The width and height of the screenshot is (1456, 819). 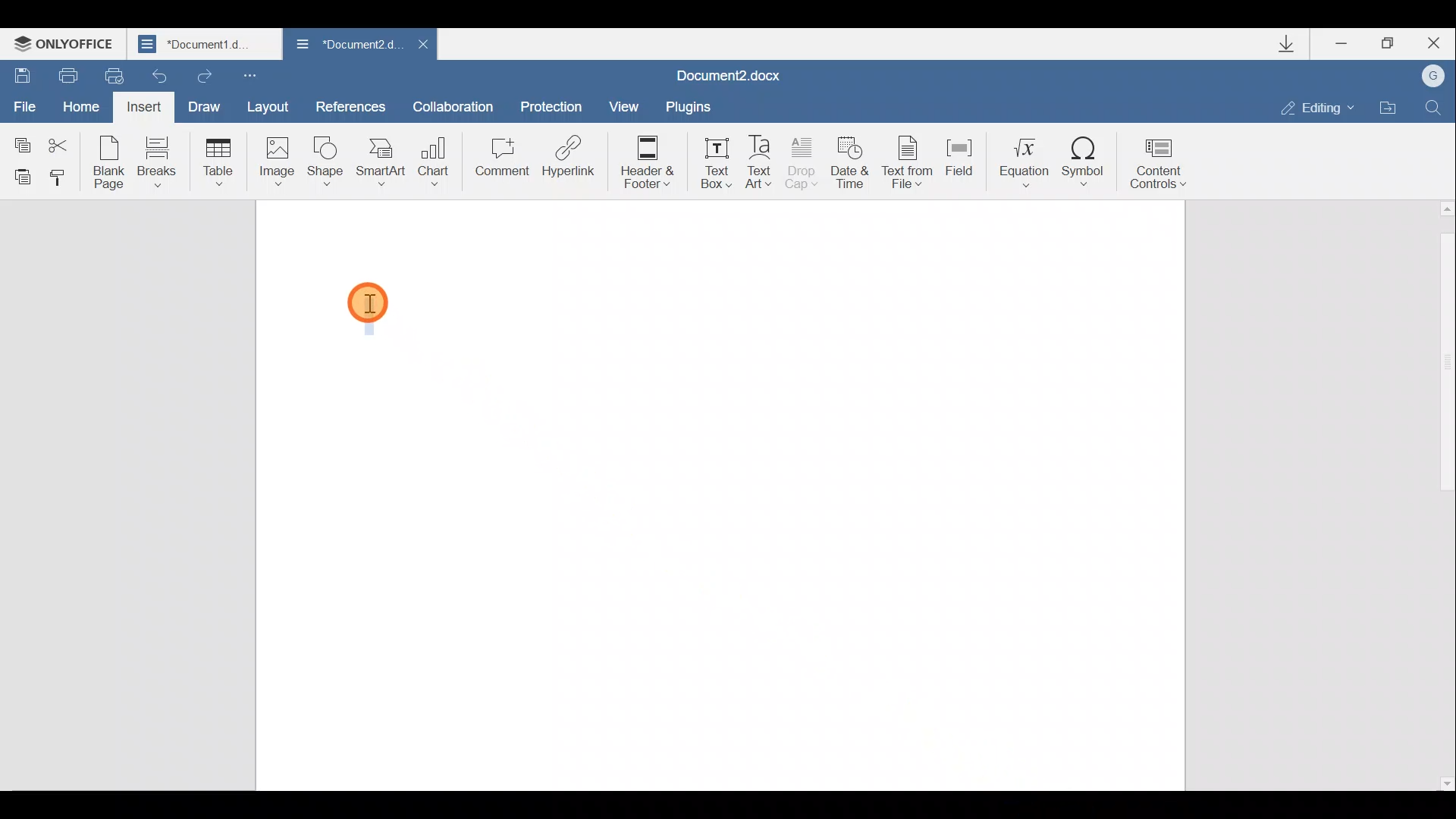 What do you see at coordinates (720, 493) in the screenshot?
I see `Working area` at bounding box center [720, 493].